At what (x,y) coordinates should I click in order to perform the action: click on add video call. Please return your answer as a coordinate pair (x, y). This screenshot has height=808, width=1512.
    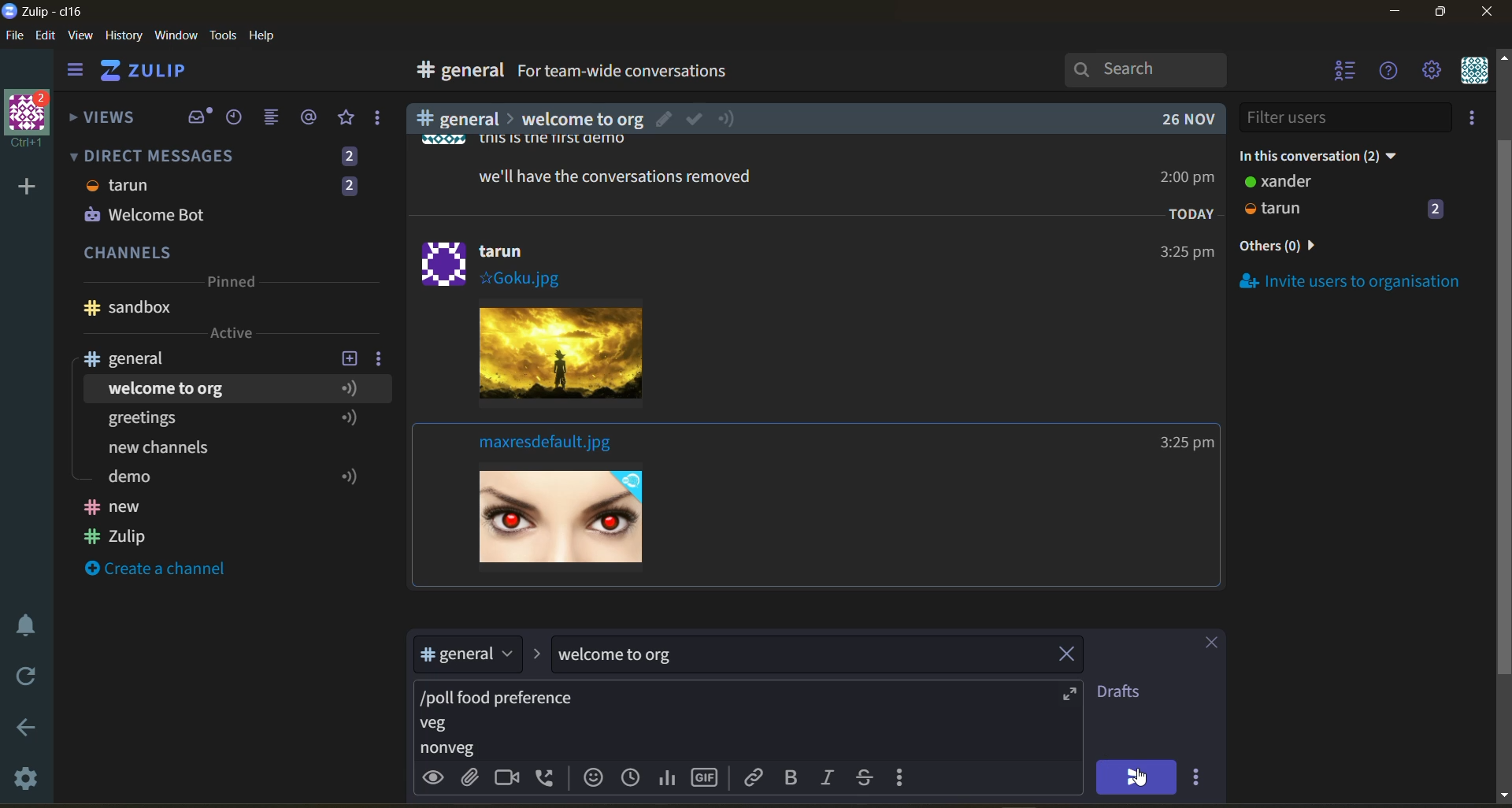
    Looking at the image, I should click on (511, 780).